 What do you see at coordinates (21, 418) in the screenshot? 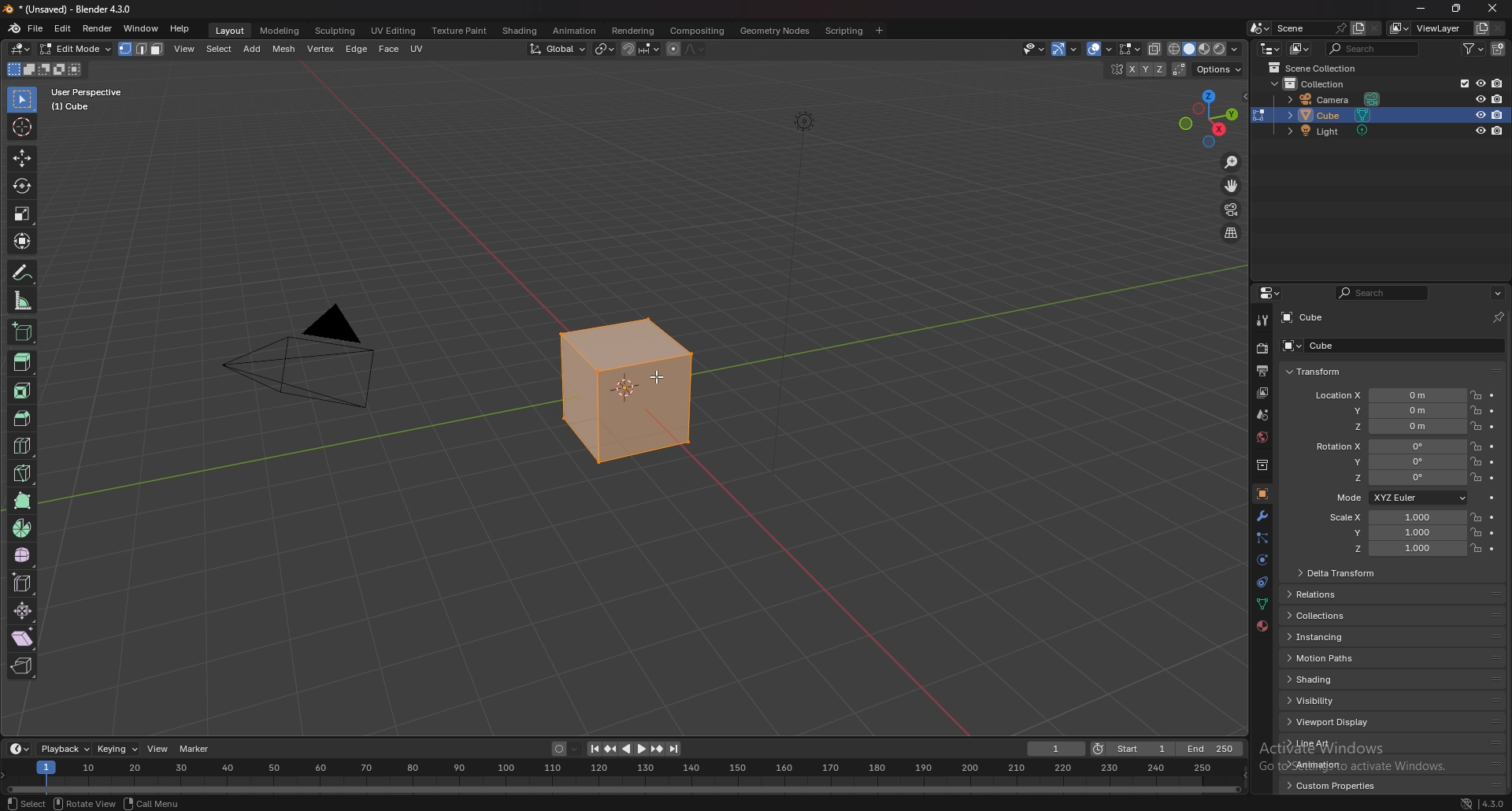
I see `bevel` at bounding box center [21, 418].